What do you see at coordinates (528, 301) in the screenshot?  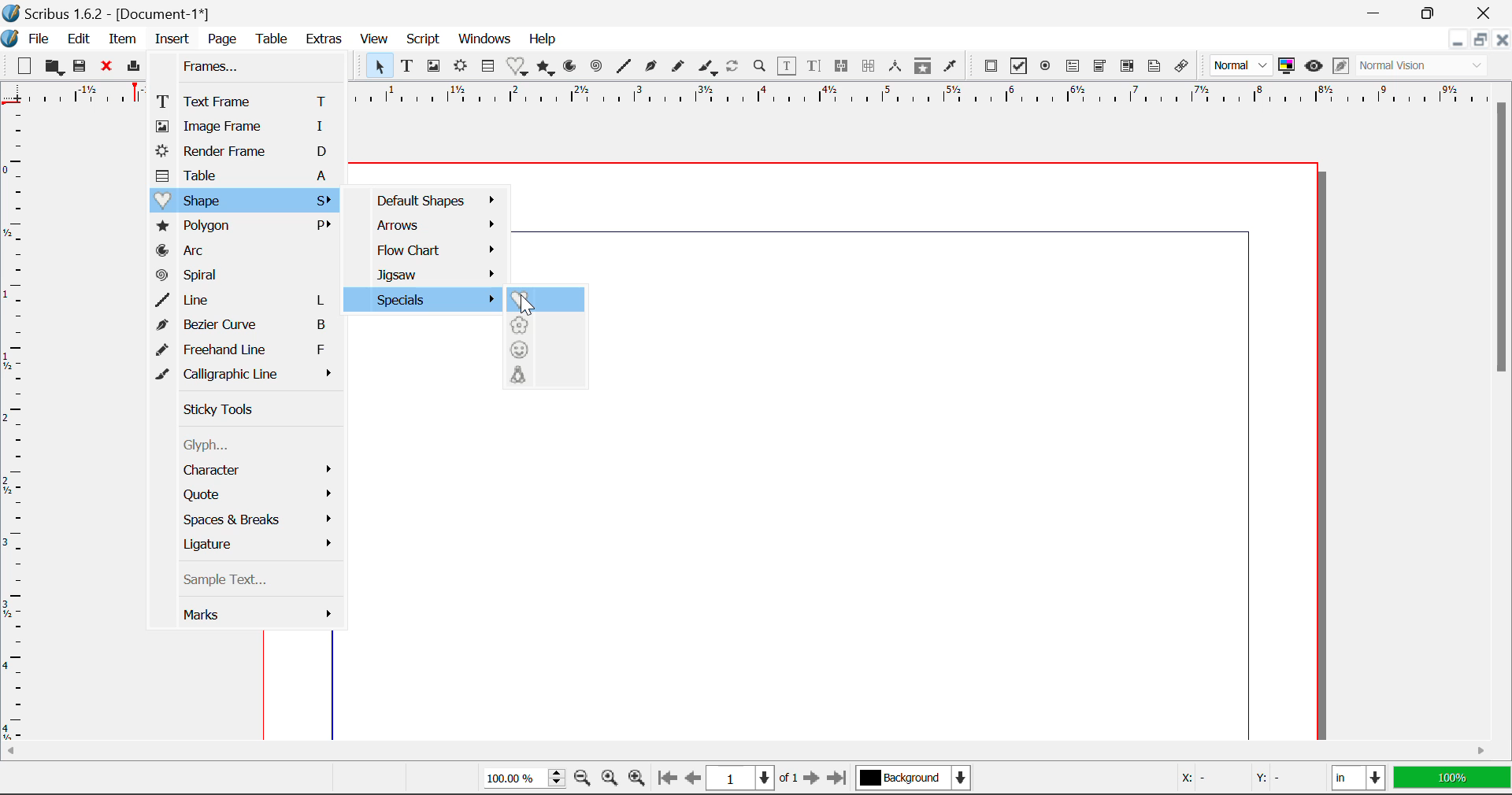 I see `Cursor ` at bounding box center [528, 301].